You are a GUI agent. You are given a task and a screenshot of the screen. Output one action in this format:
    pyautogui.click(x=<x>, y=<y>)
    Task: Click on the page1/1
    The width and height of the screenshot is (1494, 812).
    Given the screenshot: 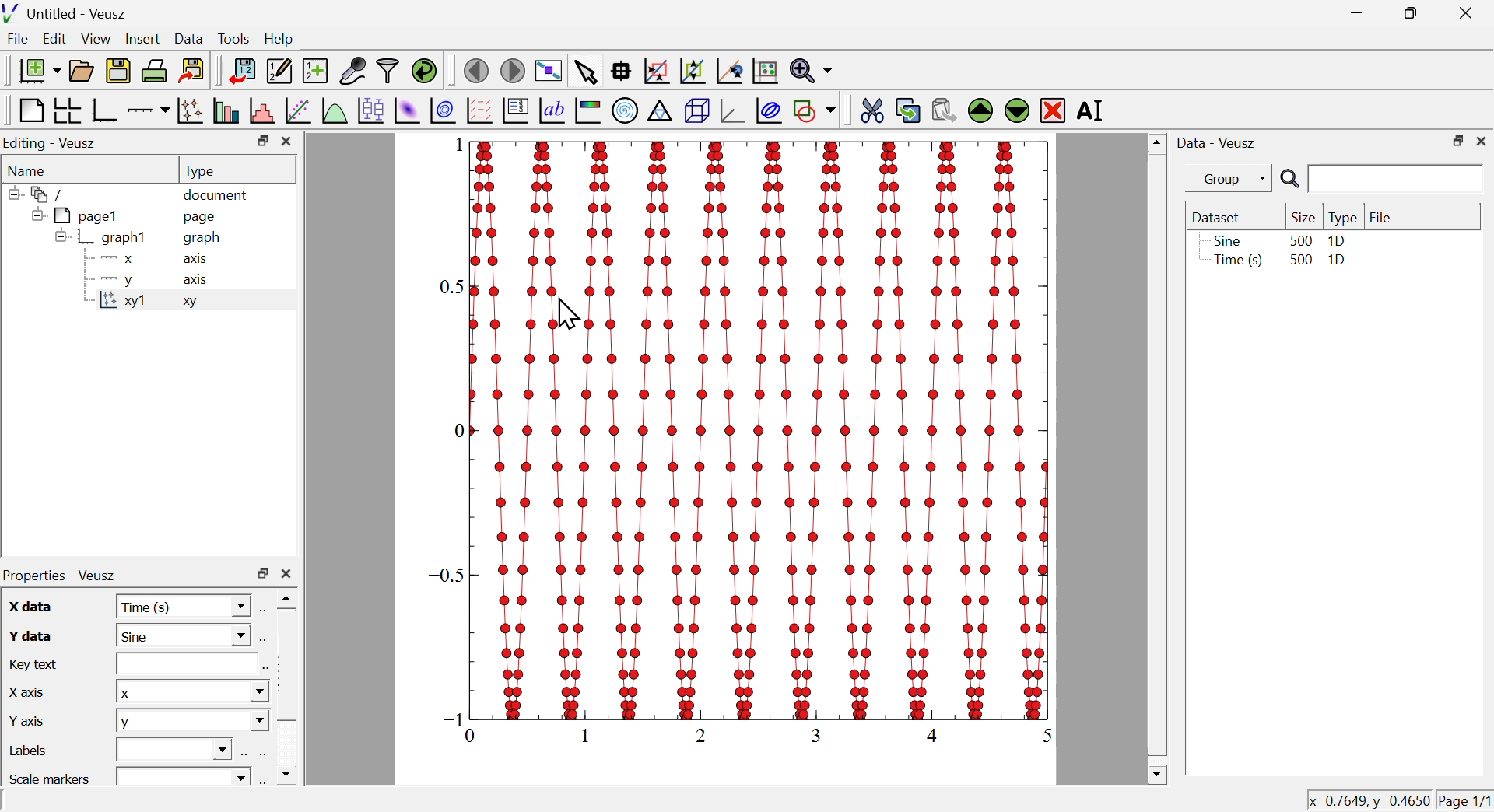 What is the action you would take?
    pyautogui.click(x=1465, y=797)
    